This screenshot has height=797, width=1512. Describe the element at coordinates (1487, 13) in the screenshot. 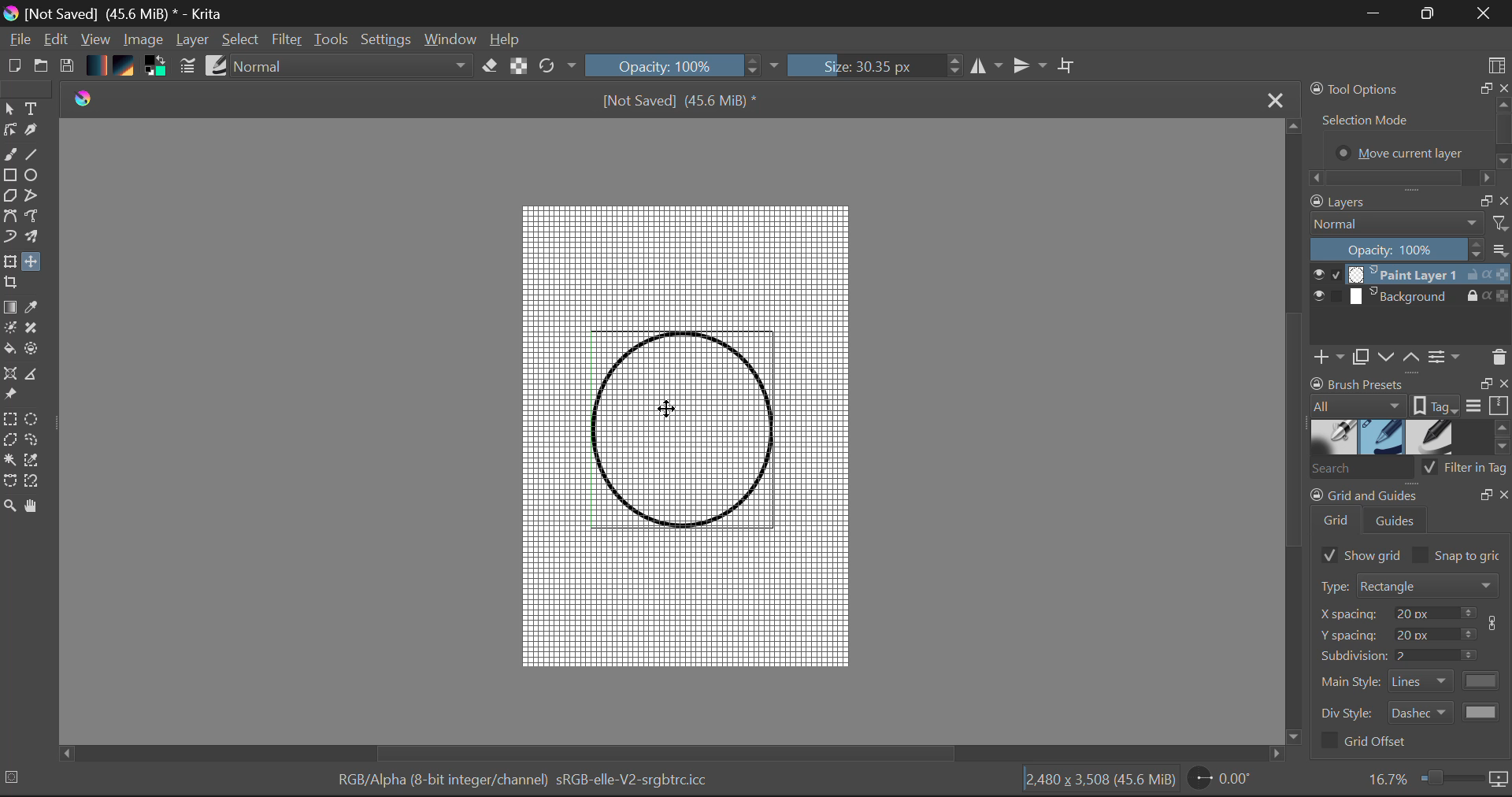

I see `Close` at that location.